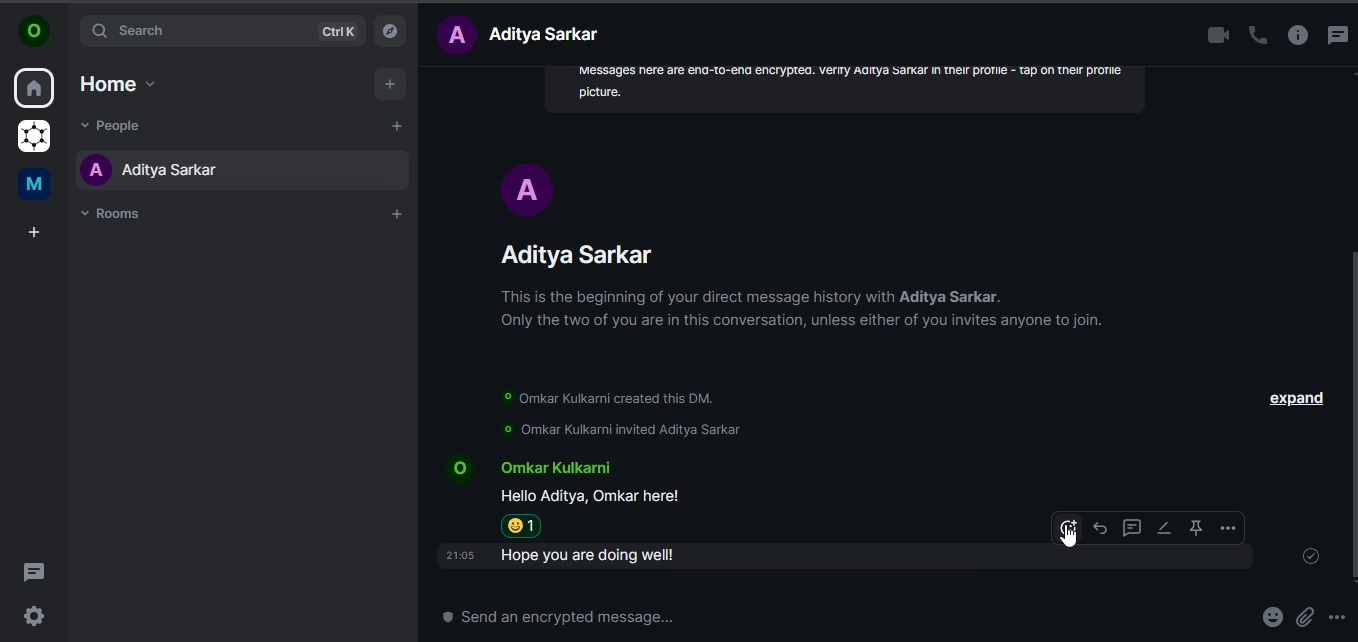 This screenshot has width=1358, height=642. What do you see at coordinates (459, 556) in the screenshot?
I see `time` at bounding box center [459, 556].